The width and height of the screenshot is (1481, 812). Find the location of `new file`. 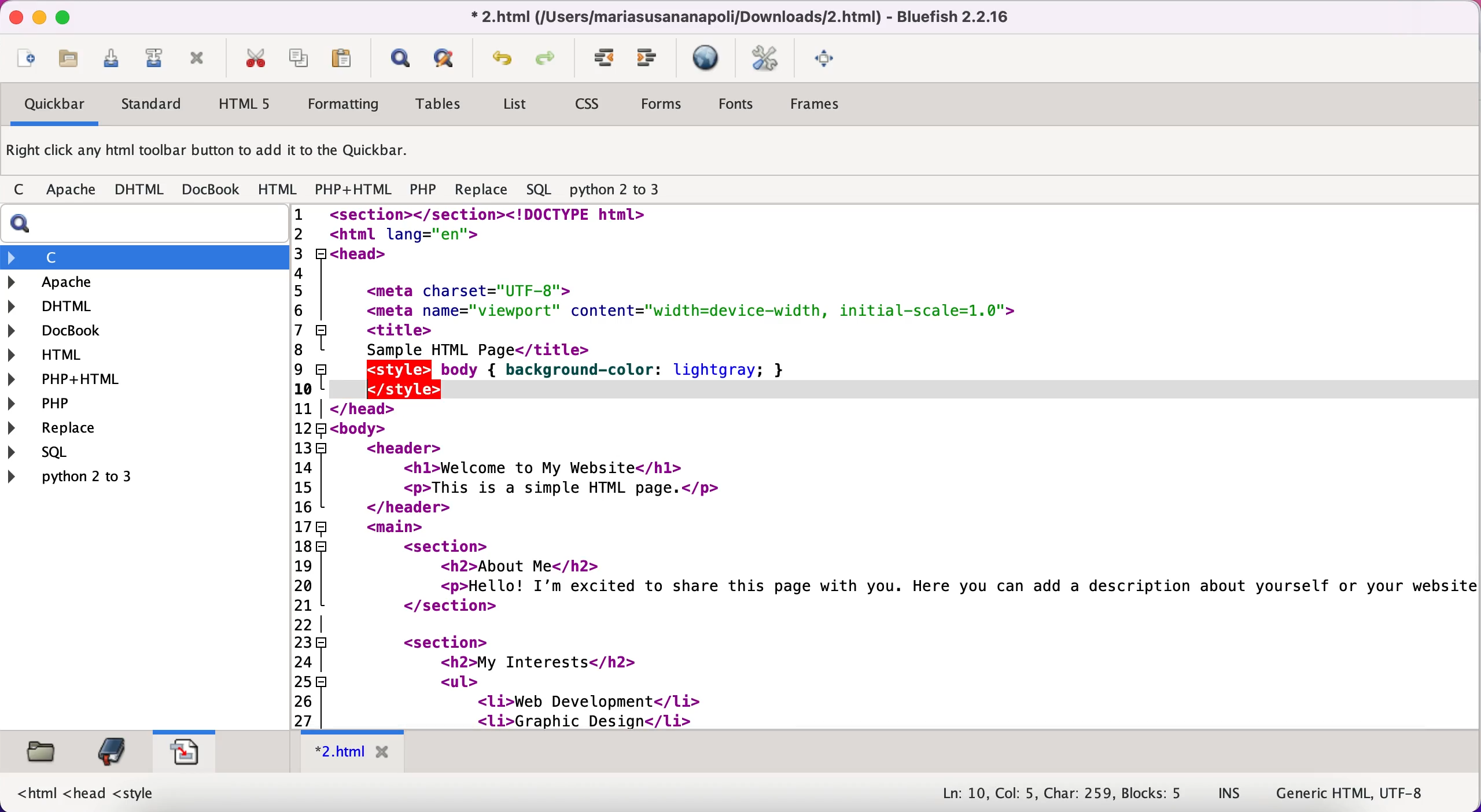

new file is located at coordinates (26, 61).